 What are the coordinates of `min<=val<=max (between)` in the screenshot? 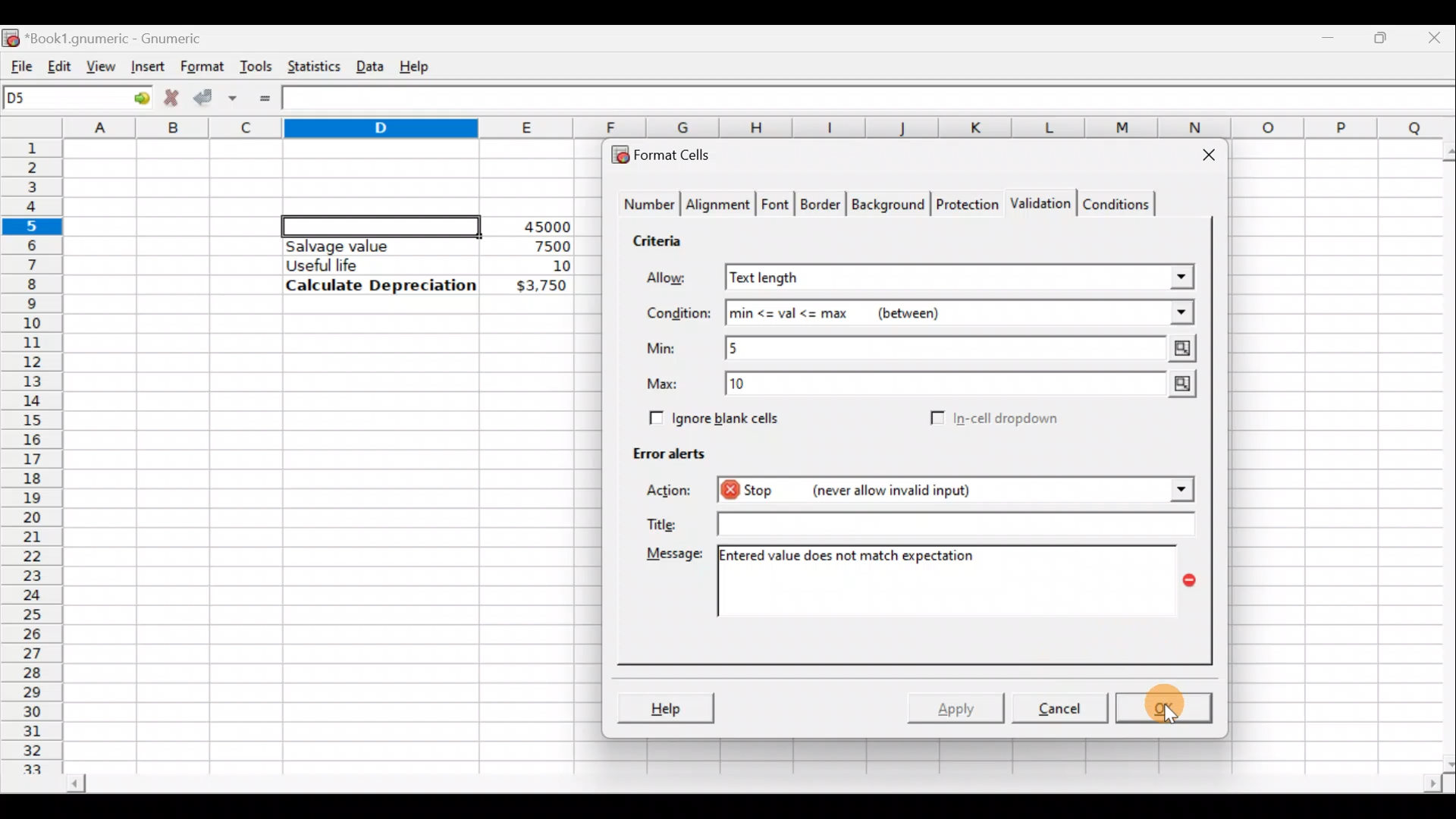 It's located at (960, 313).